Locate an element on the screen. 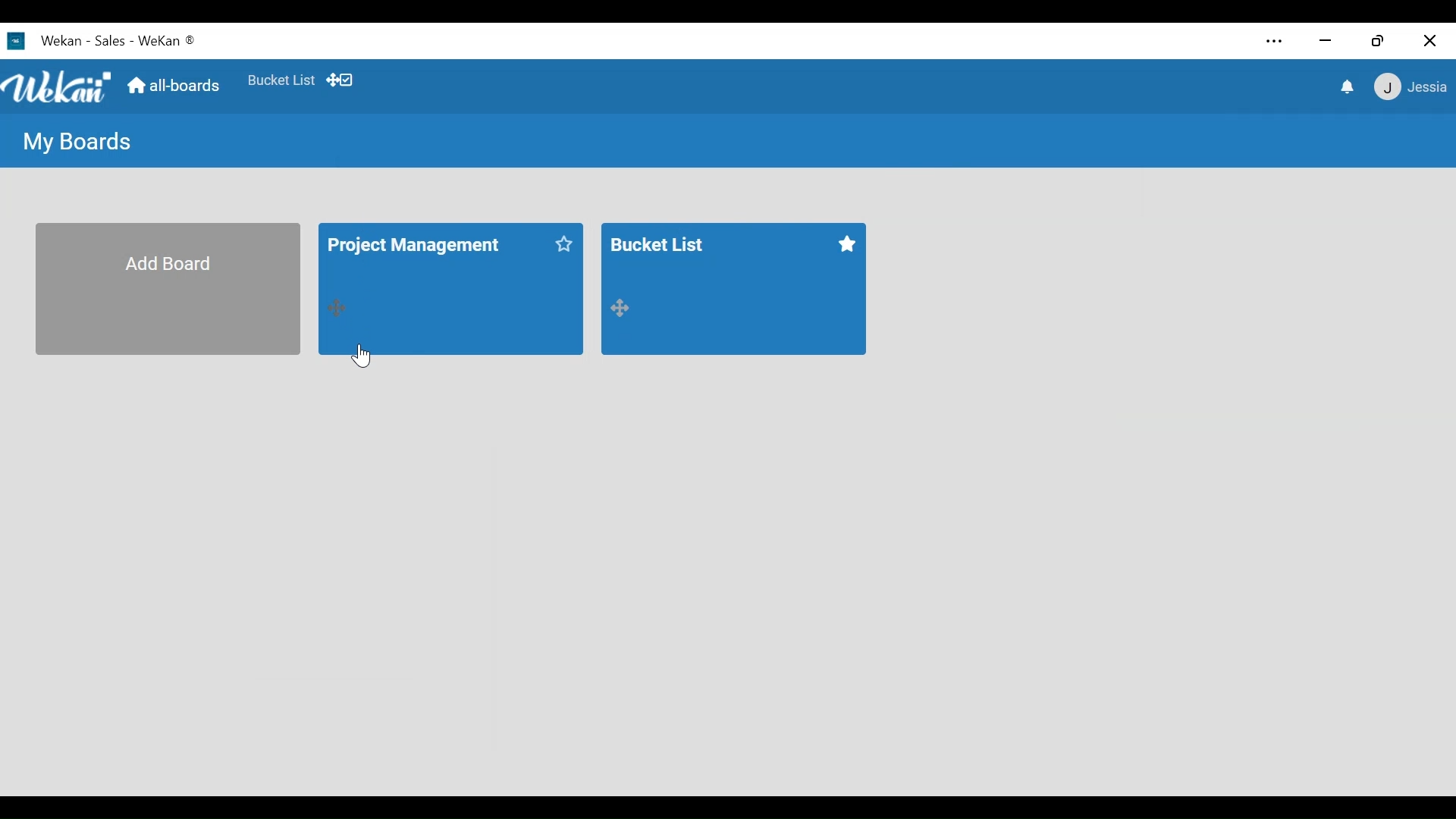  Wekan logo is located at coordinates (59, 88).